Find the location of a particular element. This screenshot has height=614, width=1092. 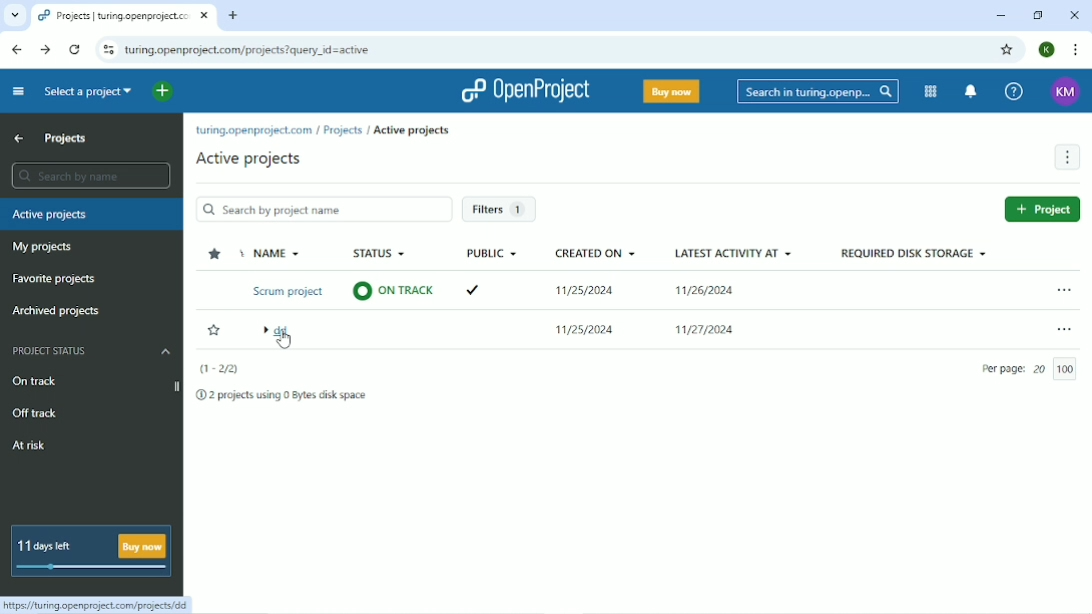

Archived projects is located at coordinates (56, 311).